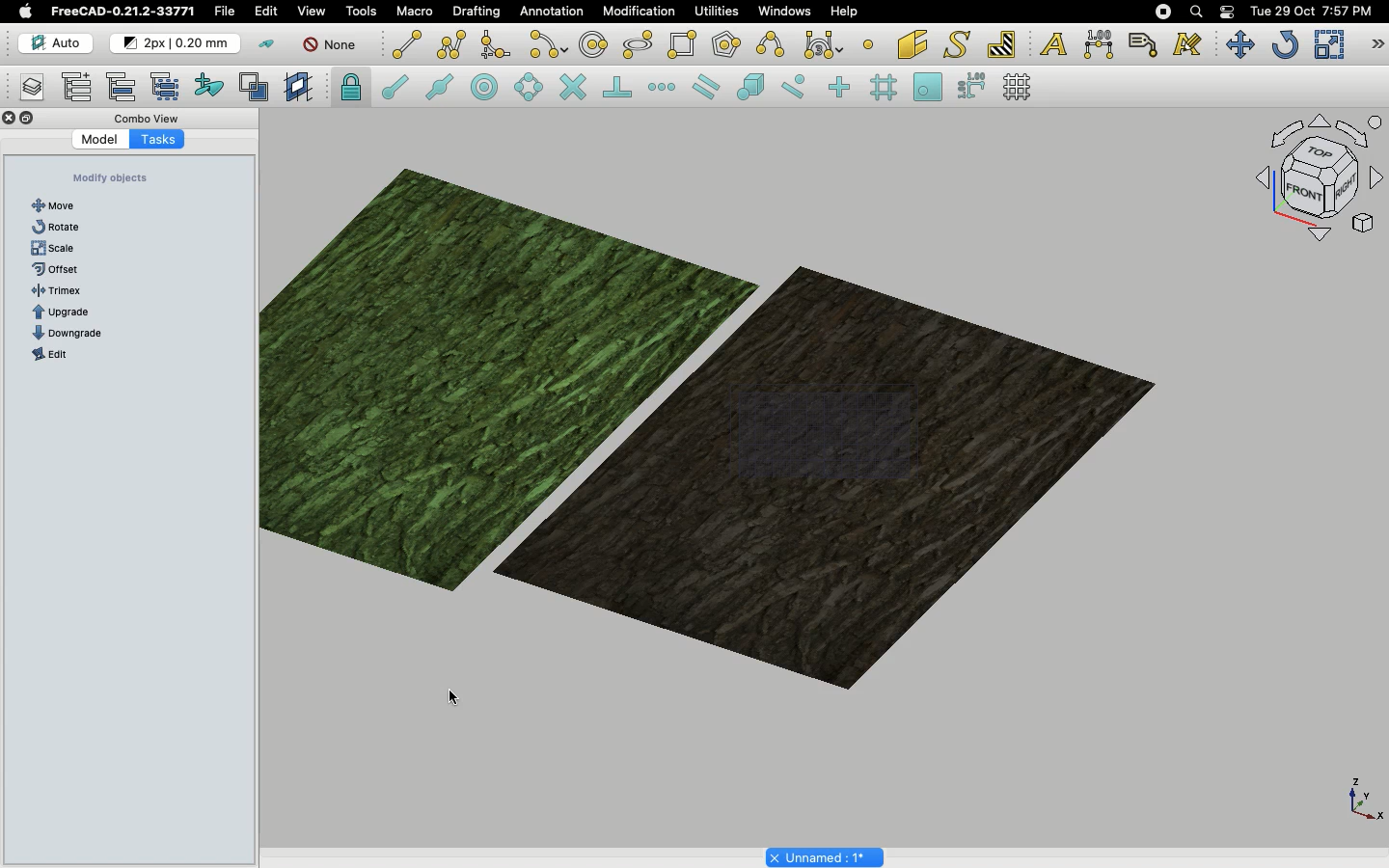  Describe the element at coordinates (407, 44) in the screenshot. I see `Line` at that location.